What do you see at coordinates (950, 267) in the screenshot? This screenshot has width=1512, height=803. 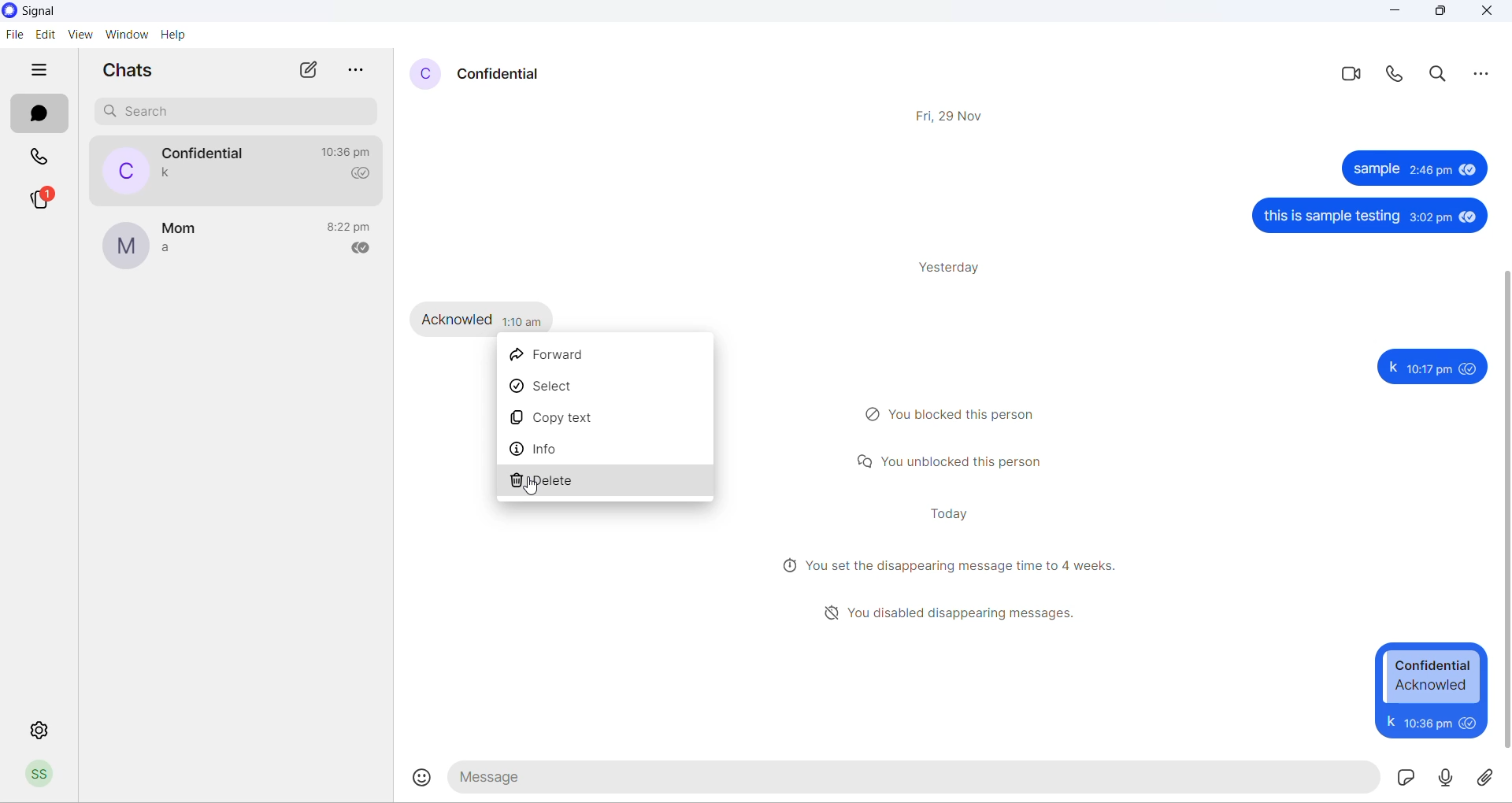 I see `yesterday ` at bounding box center [950, 267].